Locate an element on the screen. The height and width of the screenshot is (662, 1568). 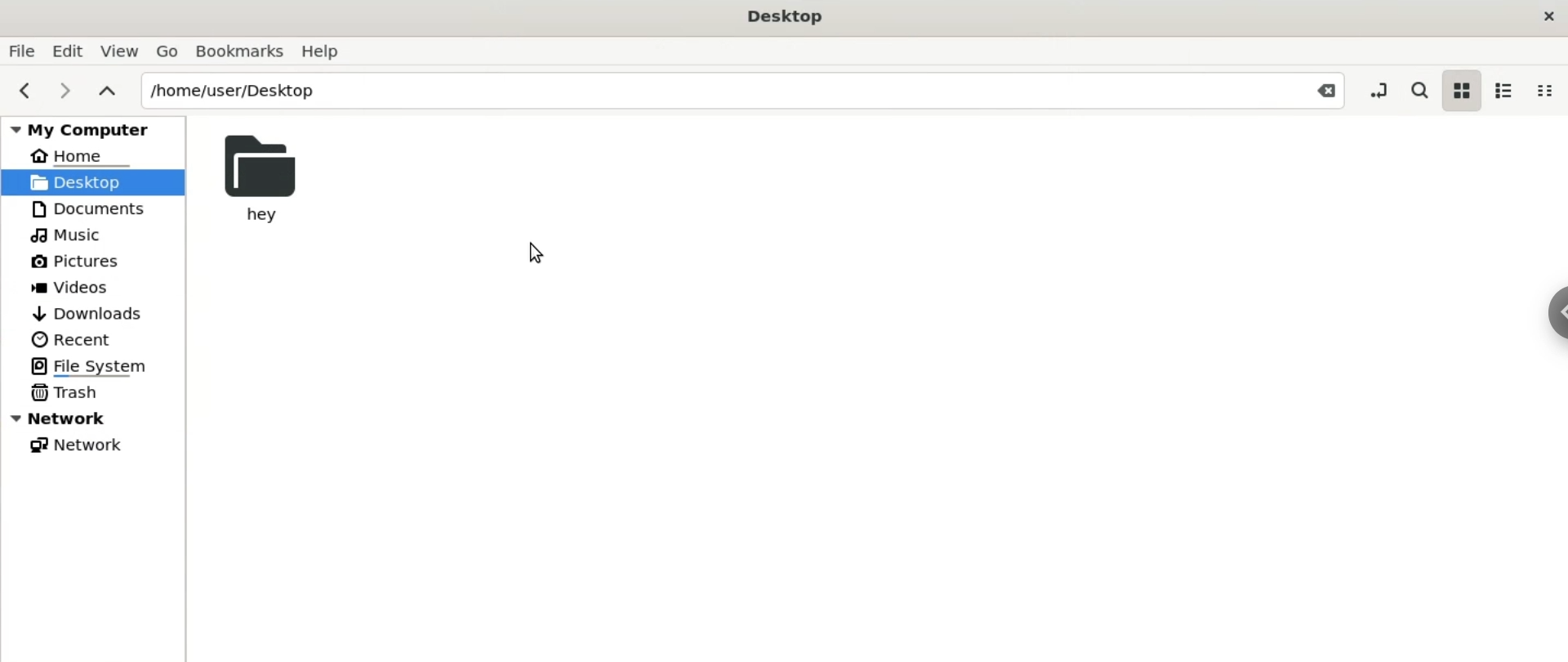
recent is located at coordinates (74, 339).